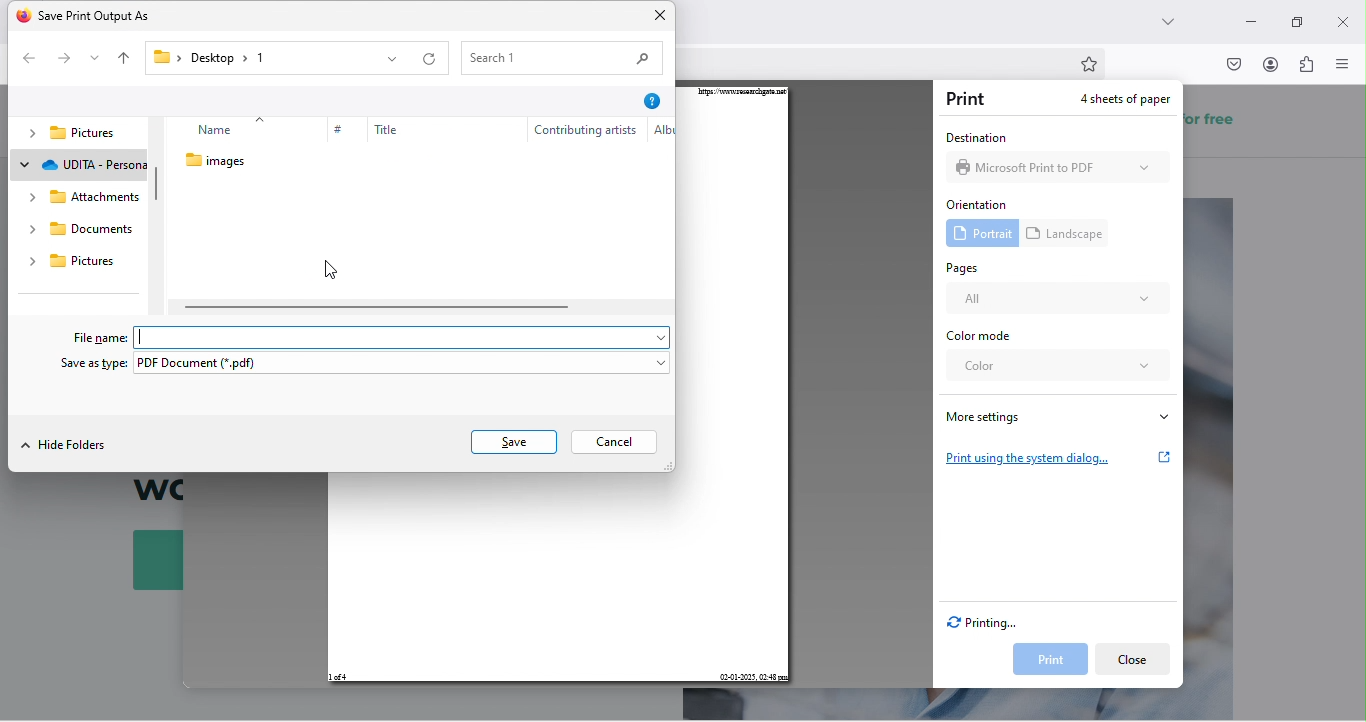 The image size is (1366, 722). I want to click on desktop 1, so click(211, 58).